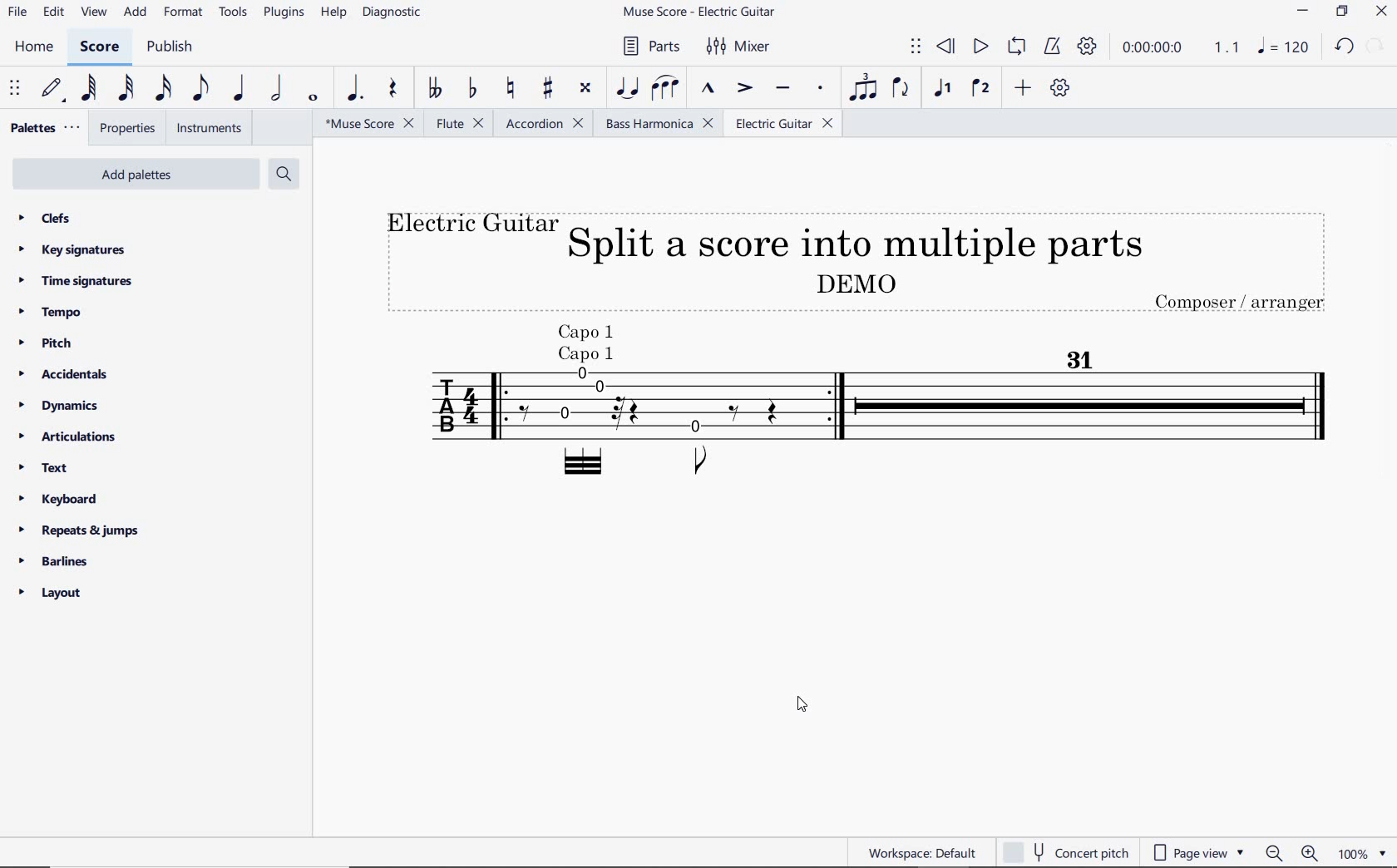  What do you see at coordinates (55, 91) in the screenshot?
I see `default (step time)` at bounding box center [55, 91].